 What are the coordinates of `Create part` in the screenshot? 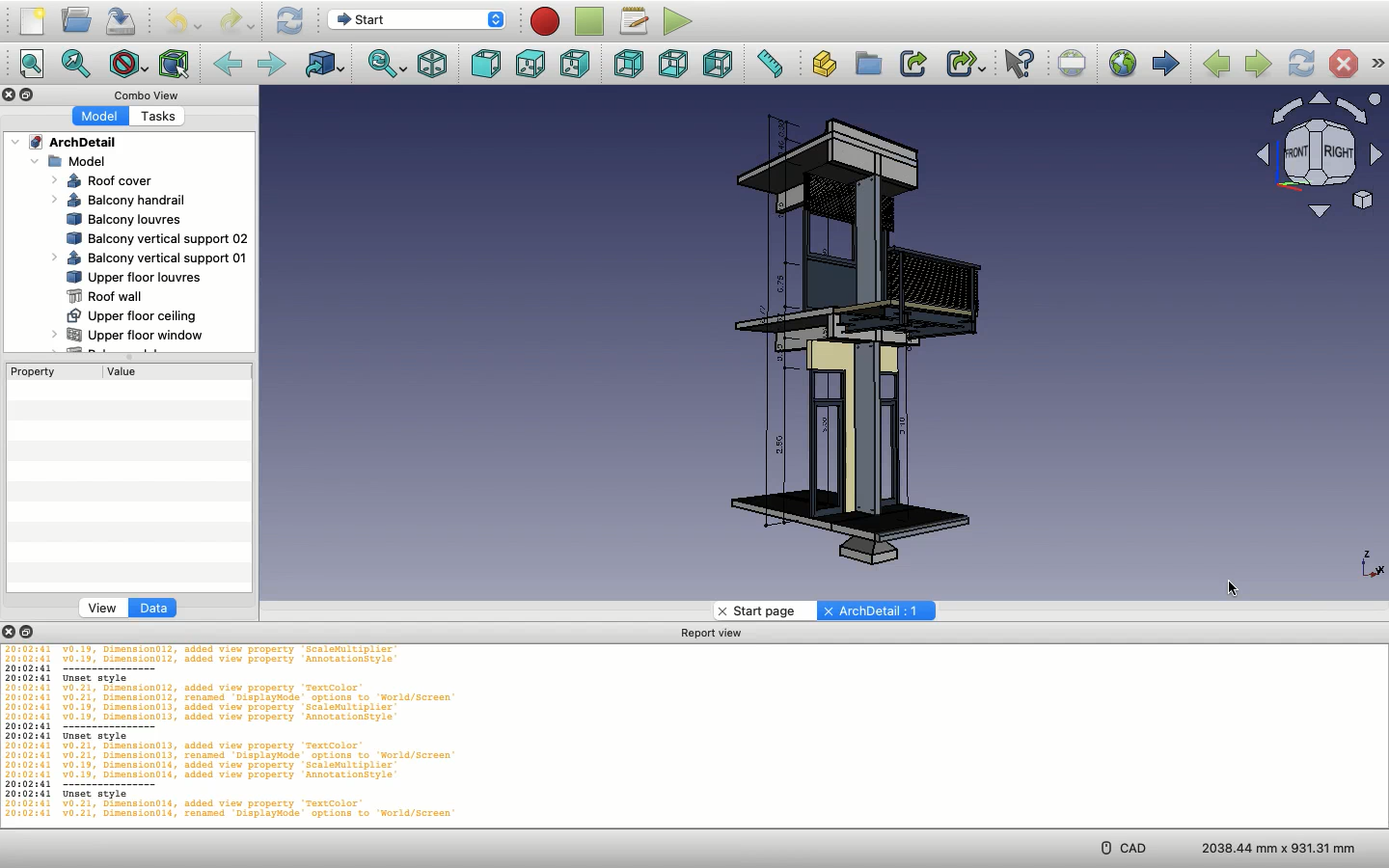 It's located at (825, 65).